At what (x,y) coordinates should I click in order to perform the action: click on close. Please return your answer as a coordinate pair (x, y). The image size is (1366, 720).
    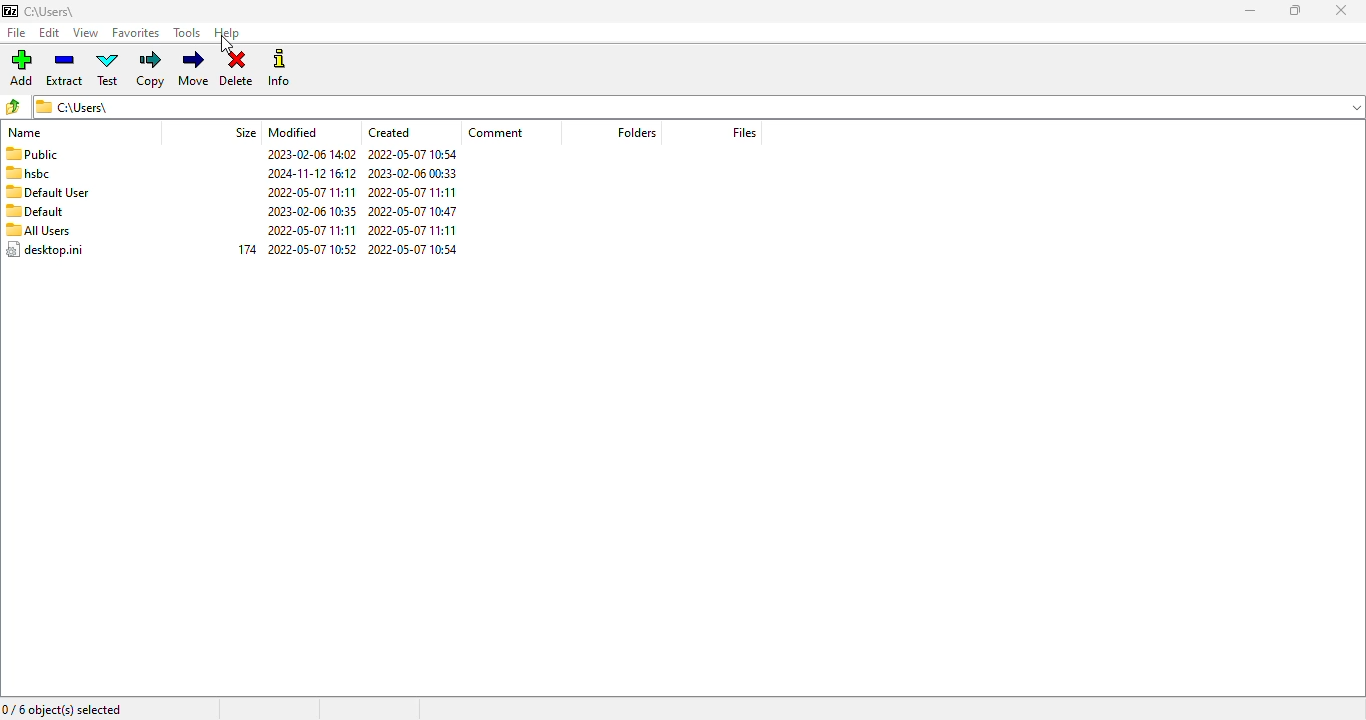
    Looking at the image, I should click on (1341, 10).